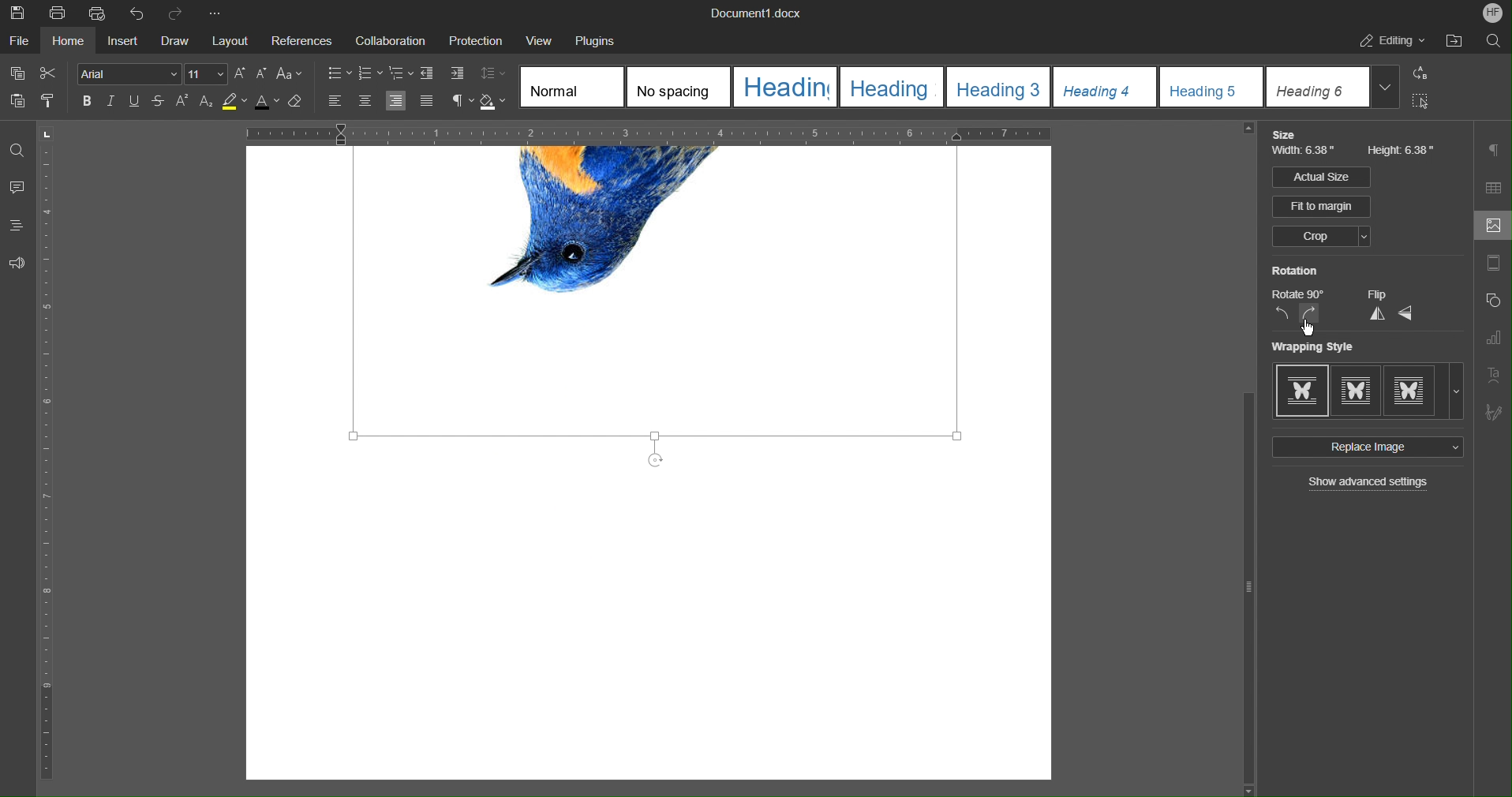 Image resolution: width=1512 pixels, height=797 pixels. I want to click on Headings, so click(17, 226).